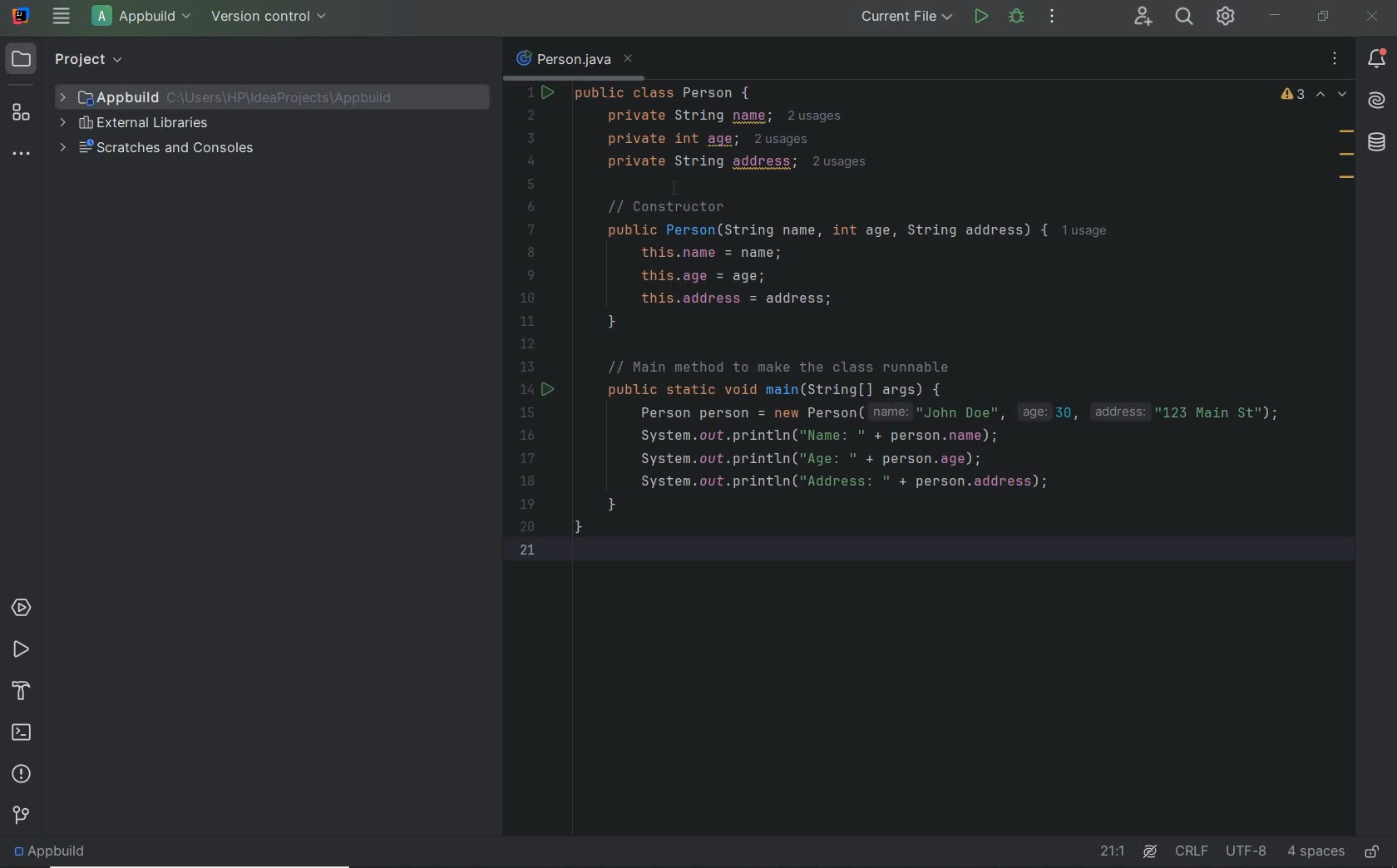 This screenshot has width=1397, height=868. I want to click on warnings, so click(1293, 96).